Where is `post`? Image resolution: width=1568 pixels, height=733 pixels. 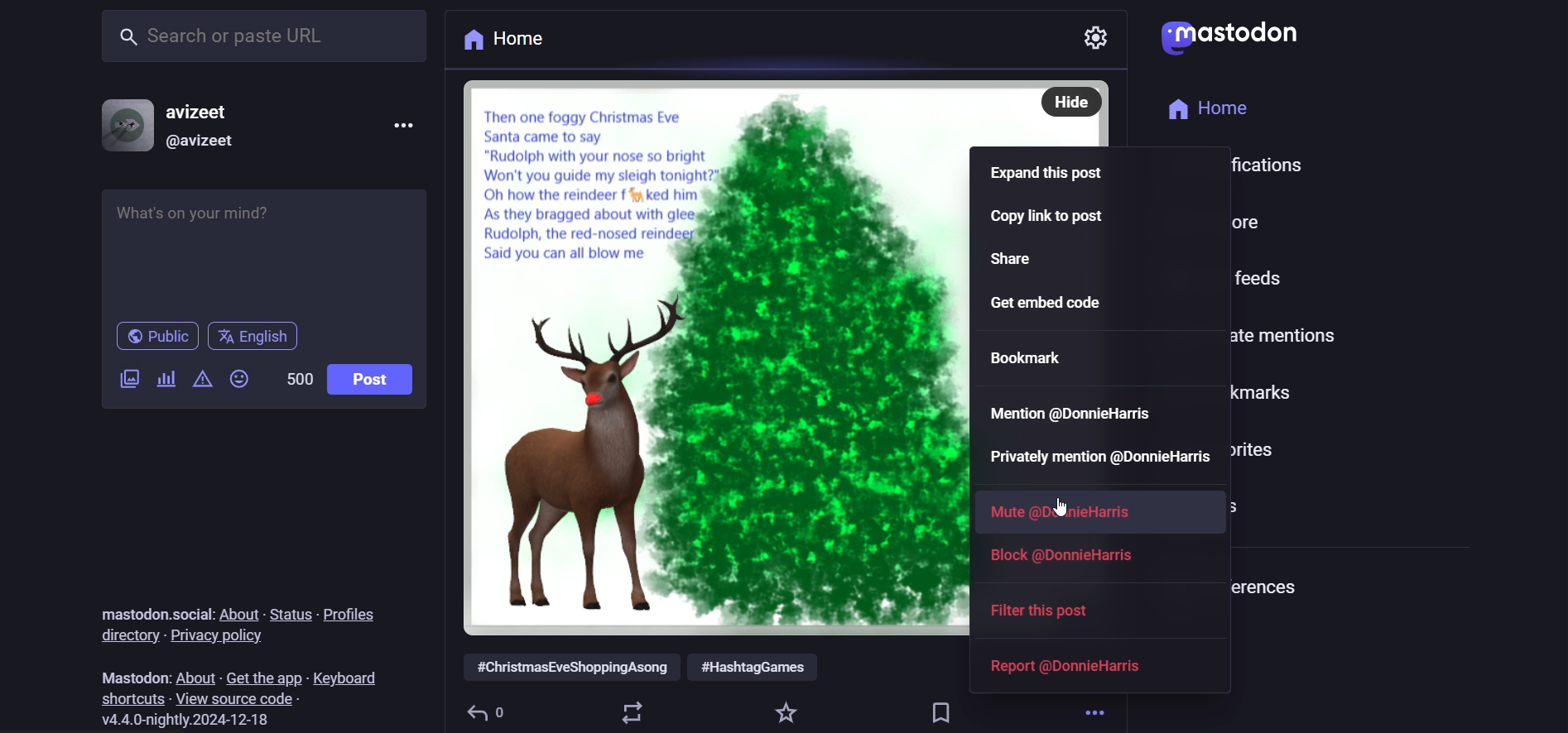 post is located at coordinates (372, 379).